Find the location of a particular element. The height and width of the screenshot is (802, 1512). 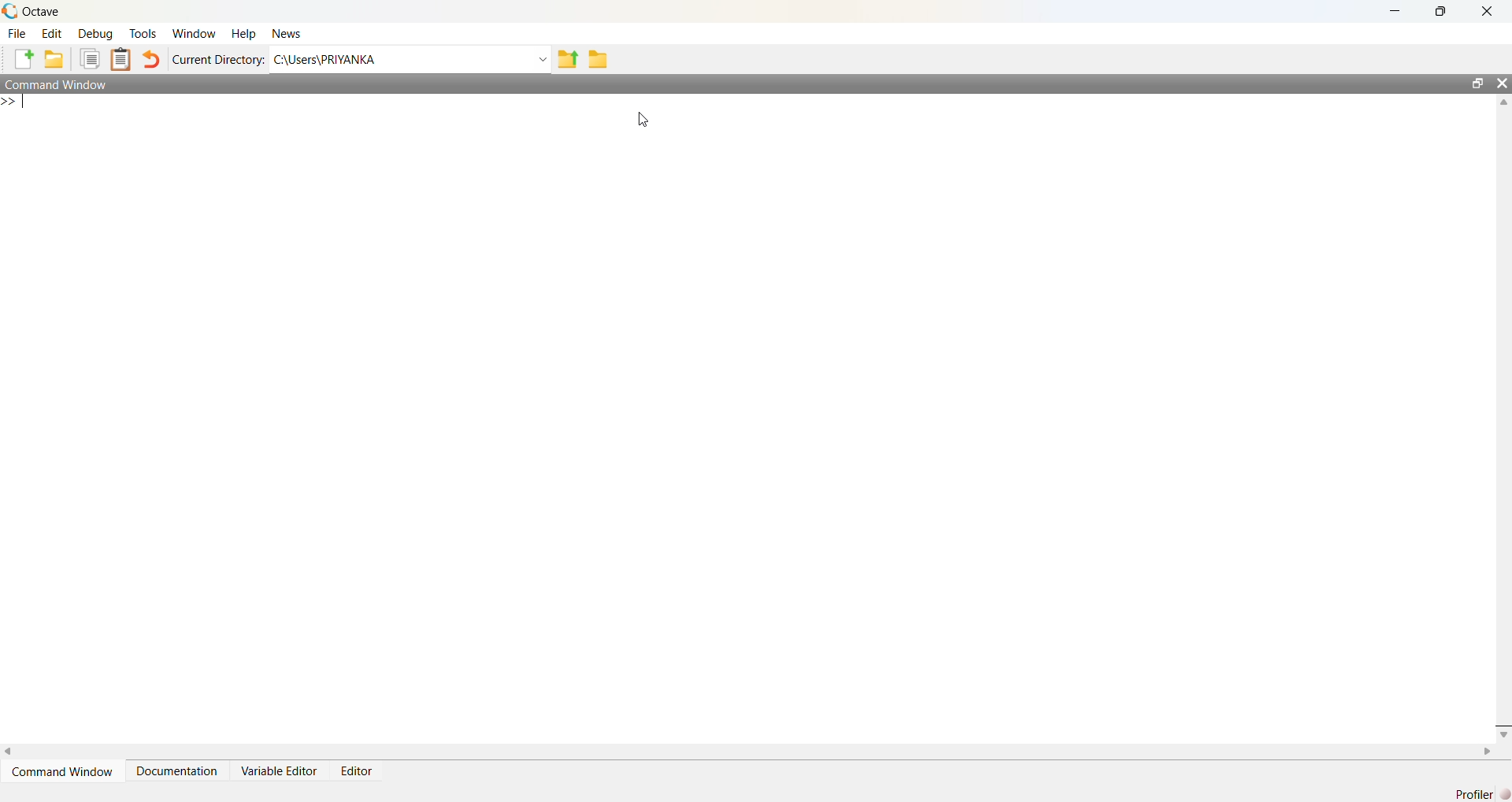

Browse Directions is located at coordinates (598, 58).